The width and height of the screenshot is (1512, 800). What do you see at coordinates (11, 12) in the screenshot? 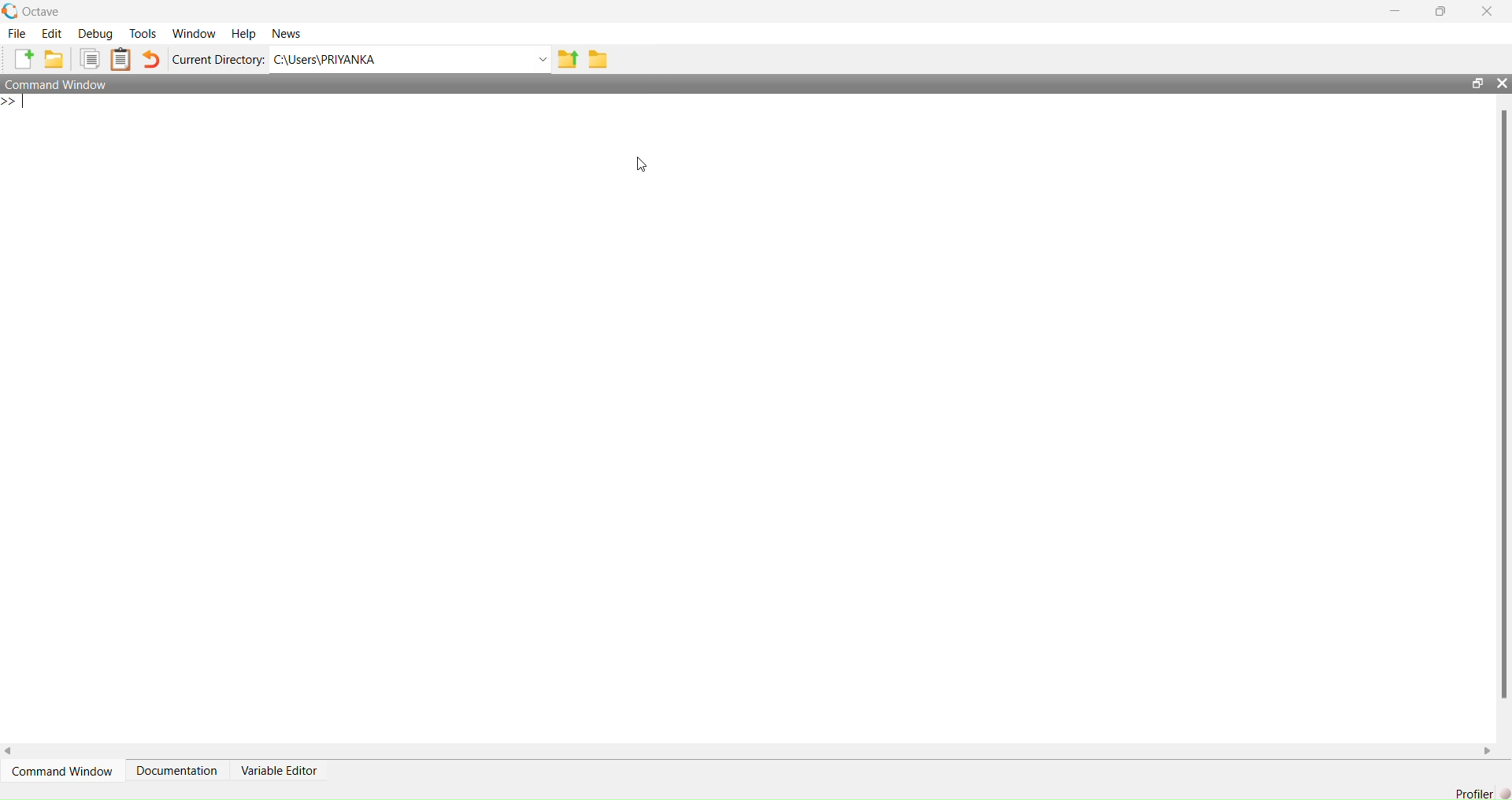
I see `logo` at bounding box center [11, 12].